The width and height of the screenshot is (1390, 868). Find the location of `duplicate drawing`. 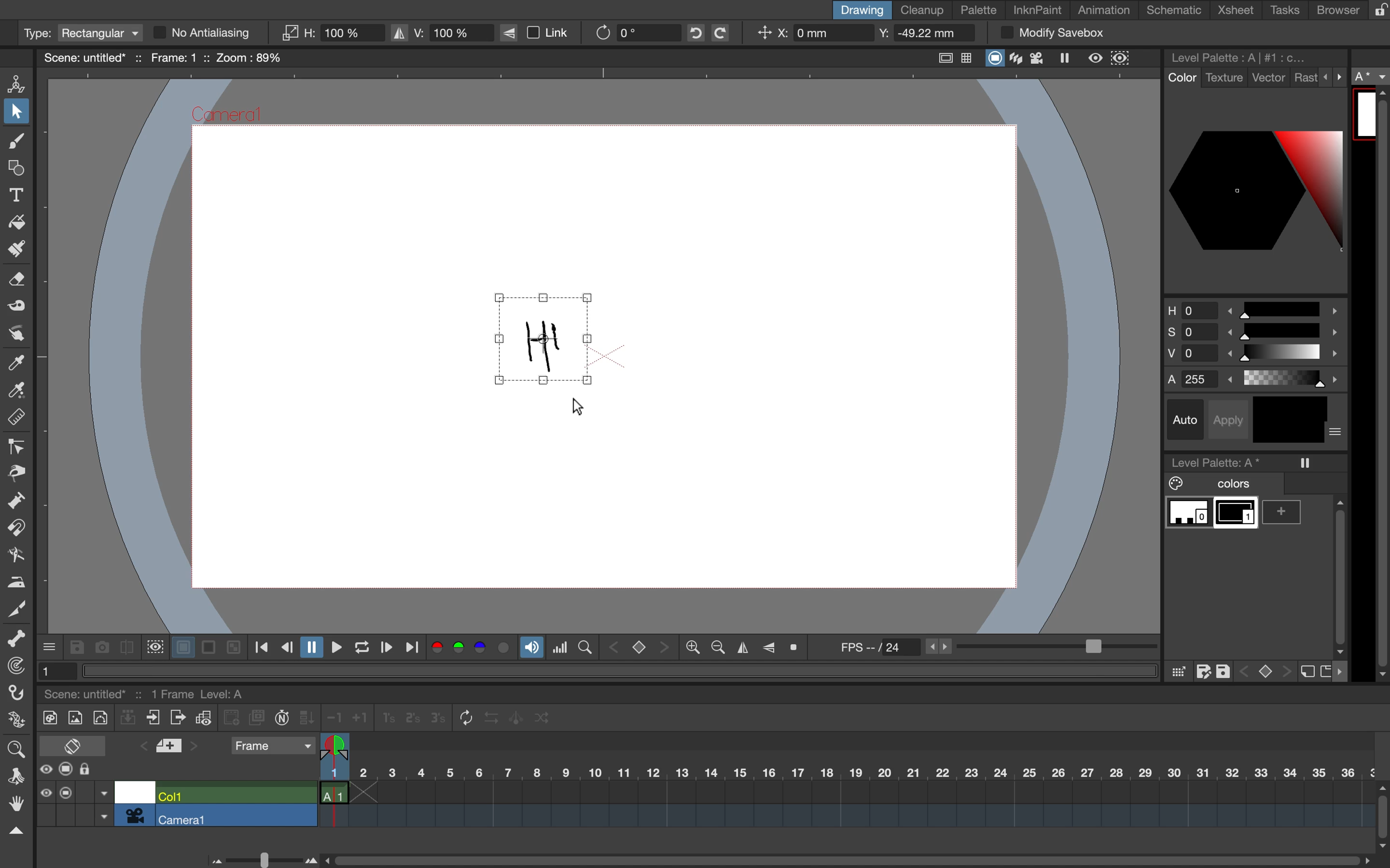

duplicate drawing is located at coordinates (257, 718).